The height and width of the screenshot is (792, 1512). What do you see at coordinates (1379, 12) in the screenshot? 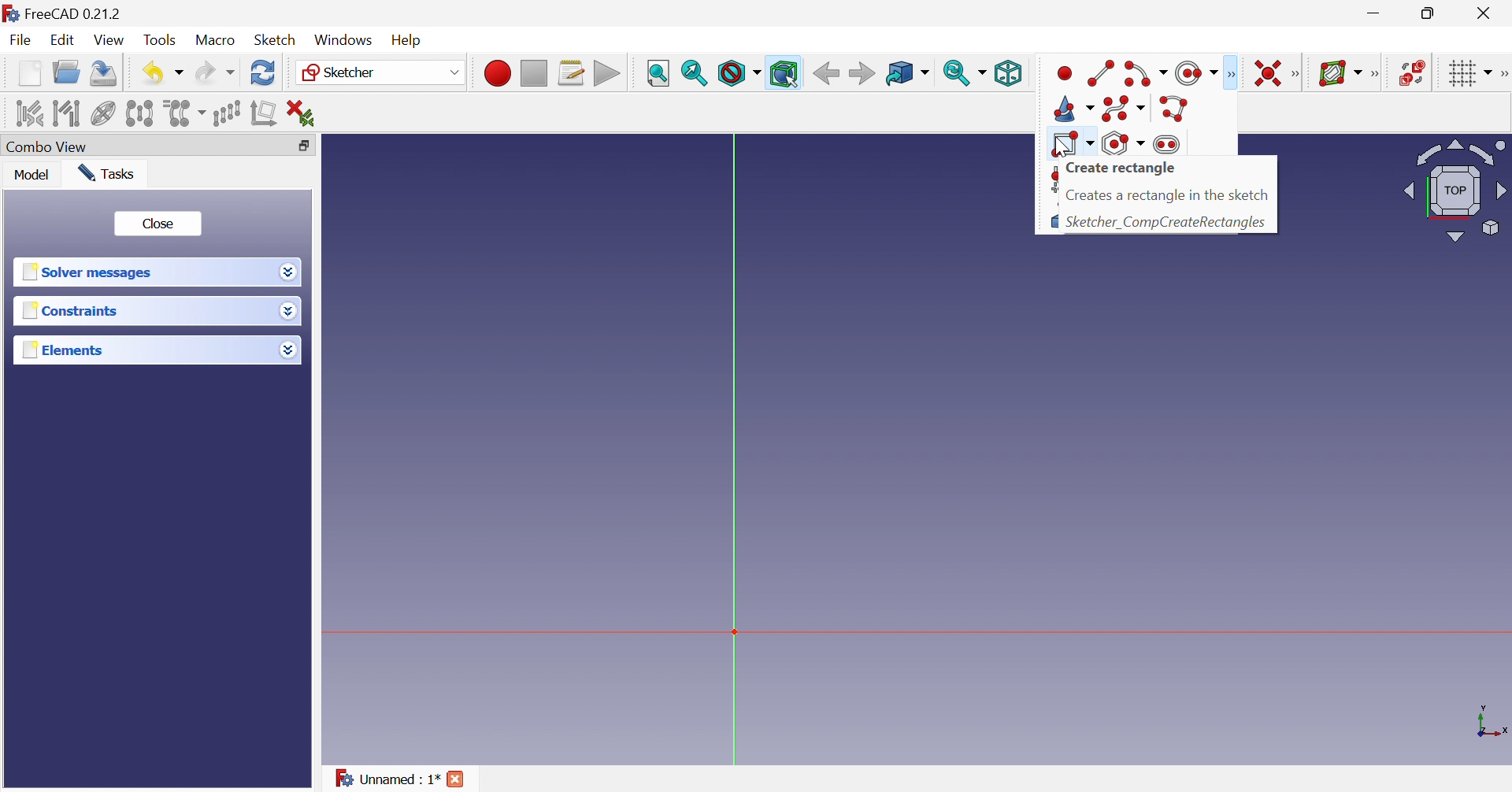
I see `Minimize` at bounding box center [1379, 12].